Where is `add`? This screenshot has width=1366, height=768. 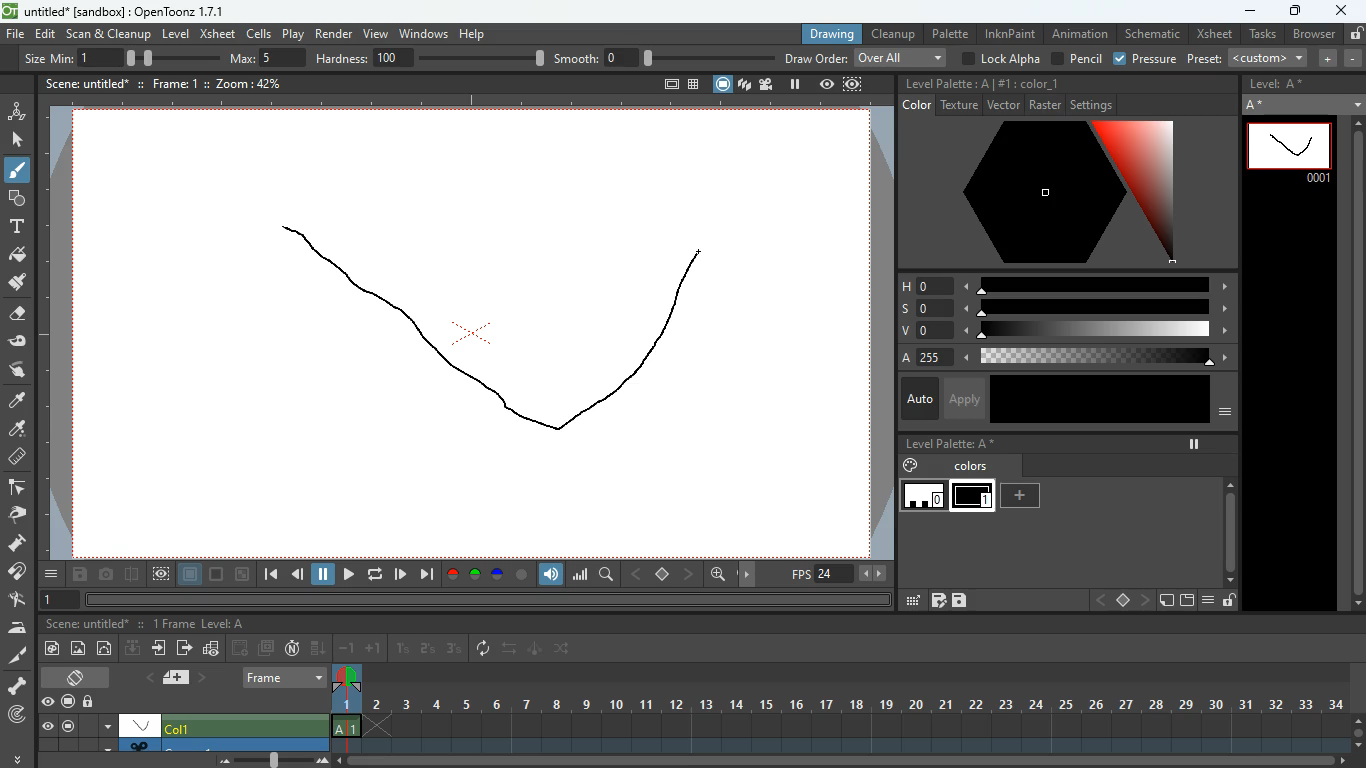 add is located at coordinates (1023, 496).